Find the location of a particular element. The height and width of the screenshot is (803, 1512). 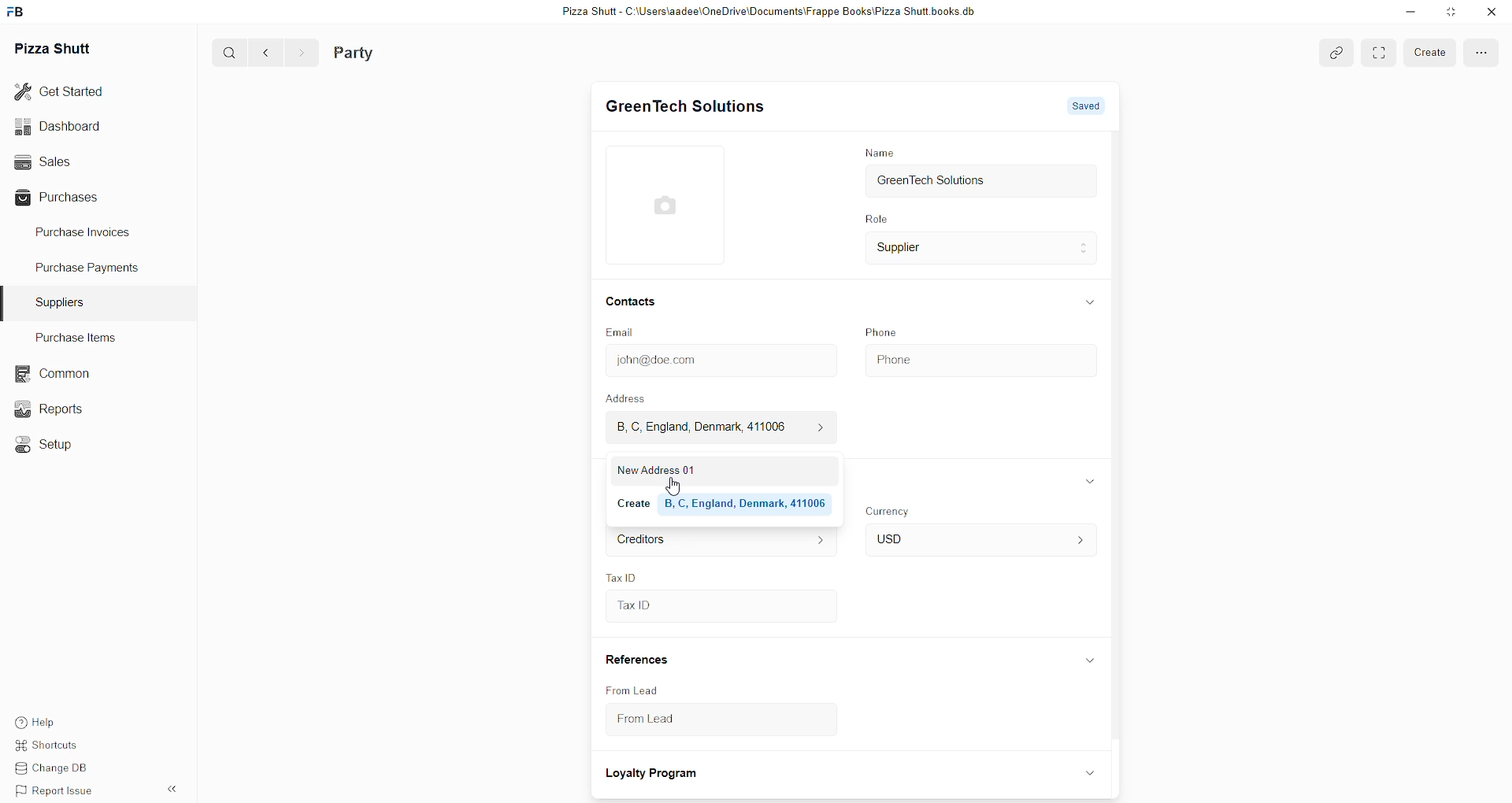

hide is located at coordinates (170, 790).